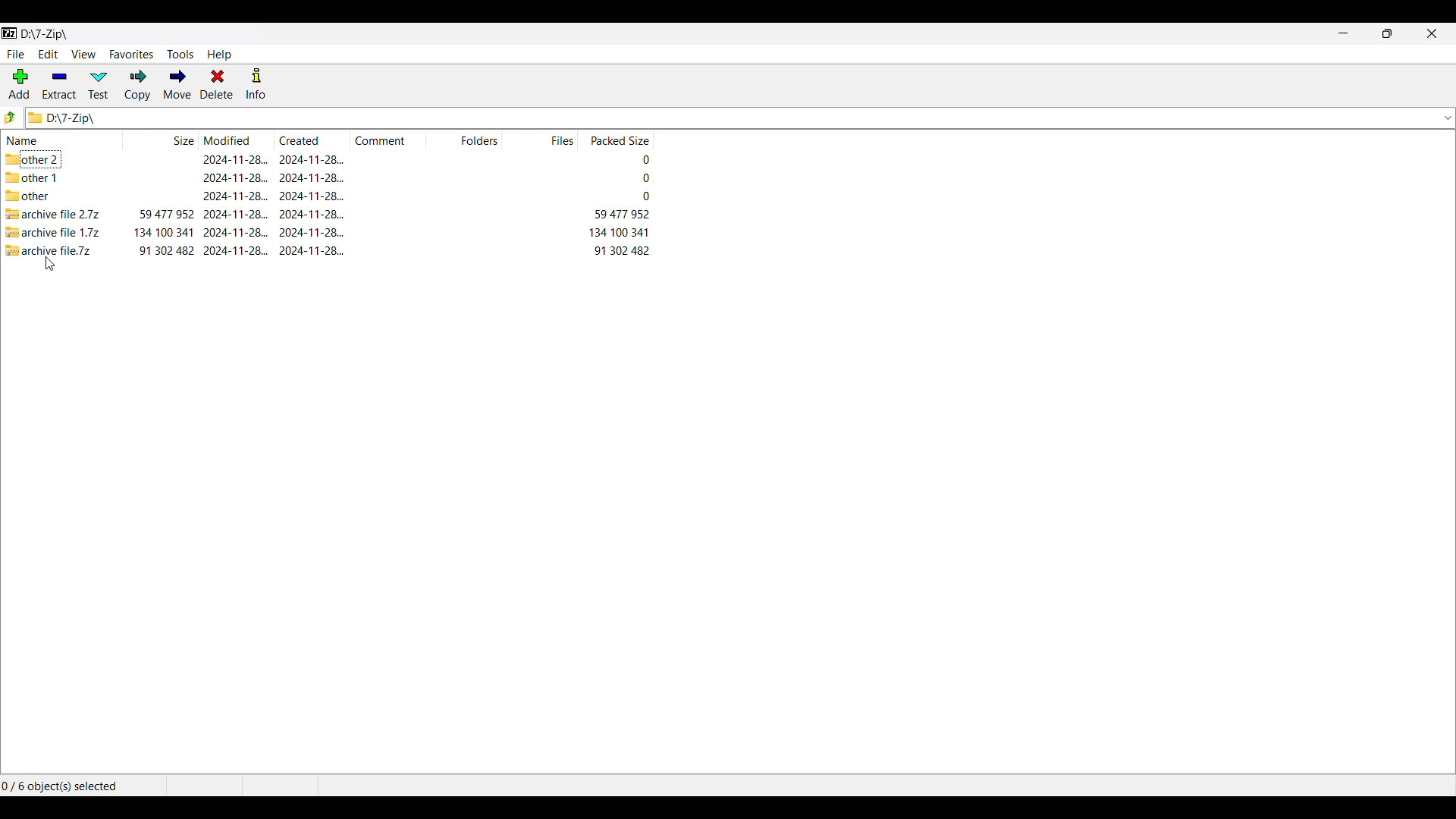  What do you see at coordinates (465, 140) in the screenshot?
I see `Folders column` at bounding box center [465, 140].